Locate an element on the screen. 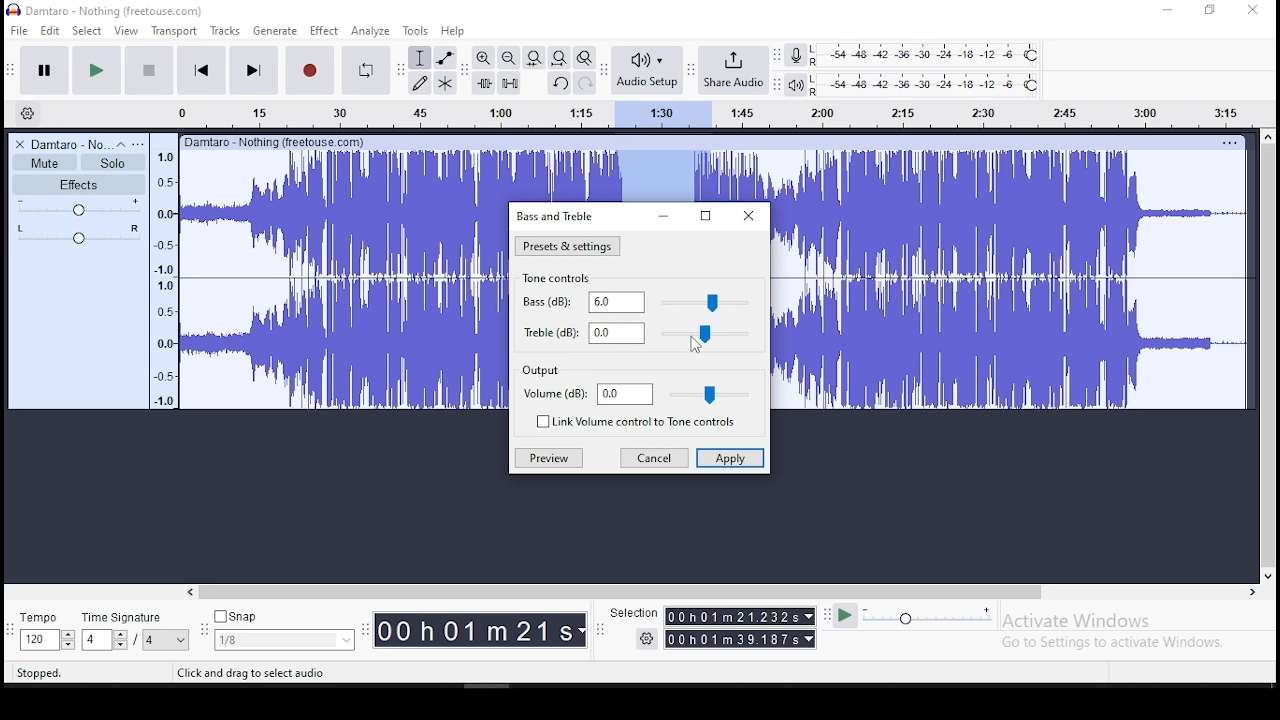 The image size is (1280, 720). 1/8 is located at coordinates (269, 640).